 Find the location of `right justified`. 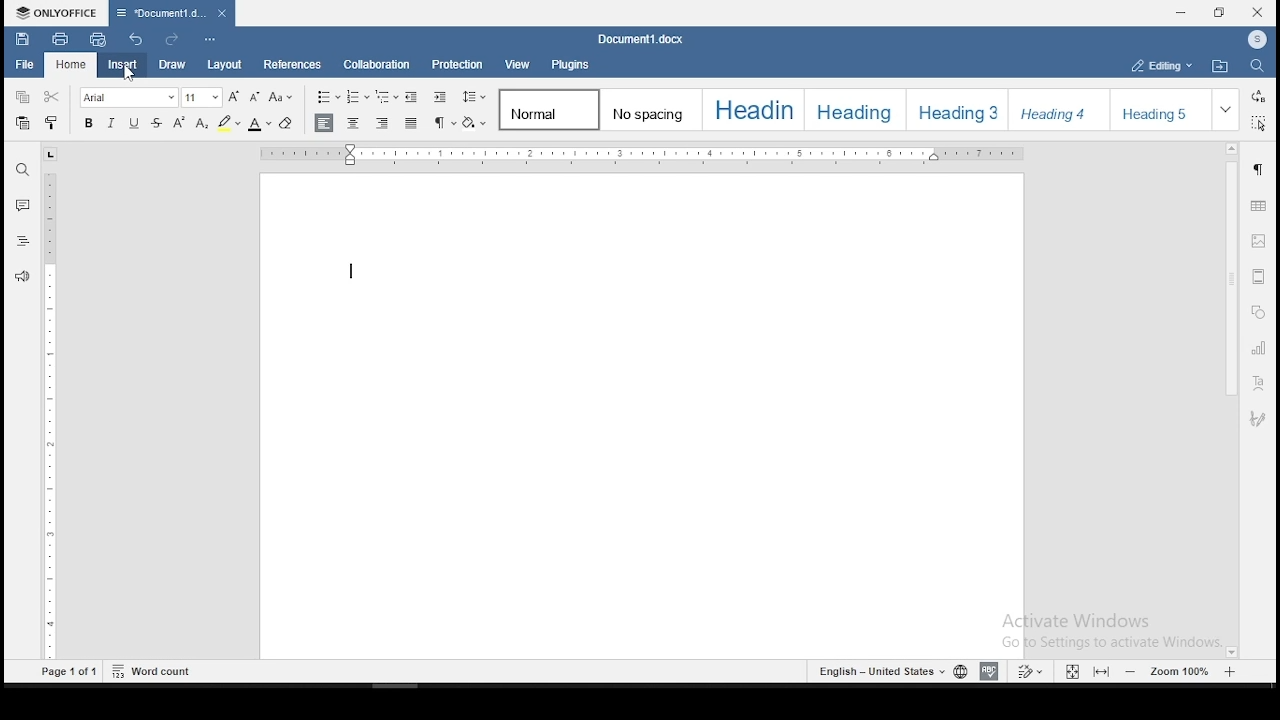

right justified is located at coordinates (383, 121).